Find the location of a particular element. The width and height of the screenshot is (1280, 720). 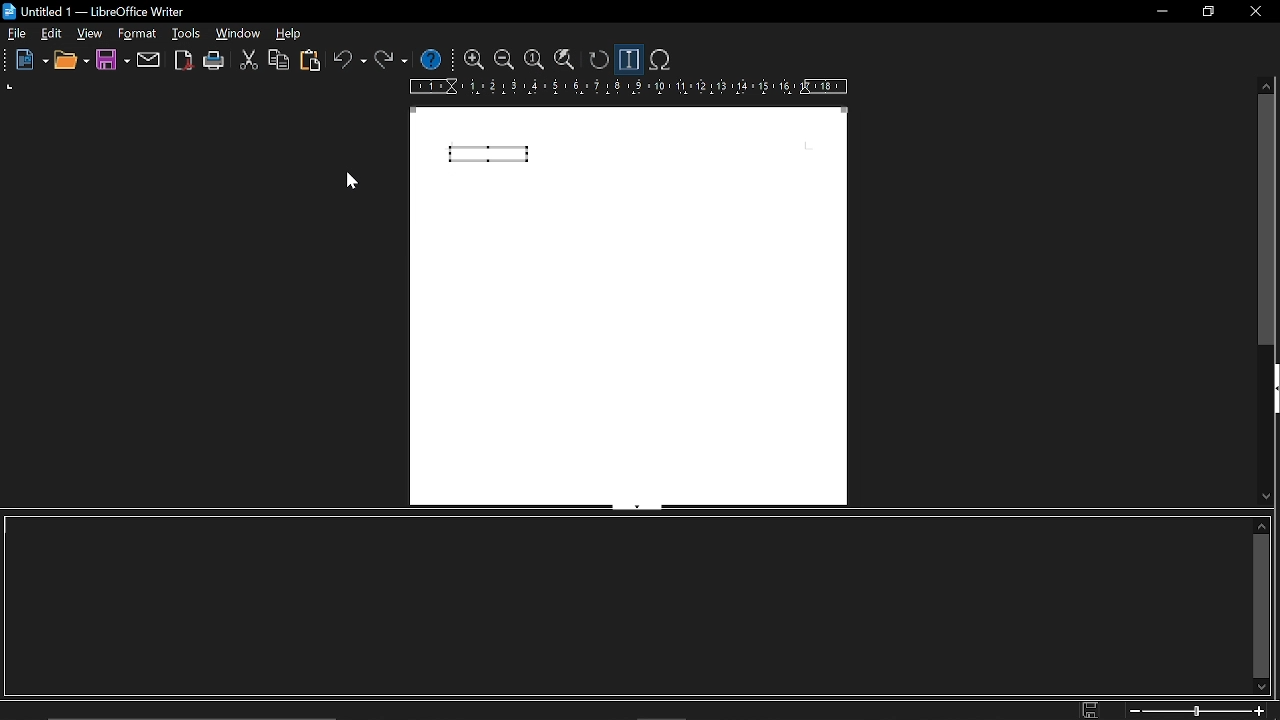

view is located at coordinates (89, 36).